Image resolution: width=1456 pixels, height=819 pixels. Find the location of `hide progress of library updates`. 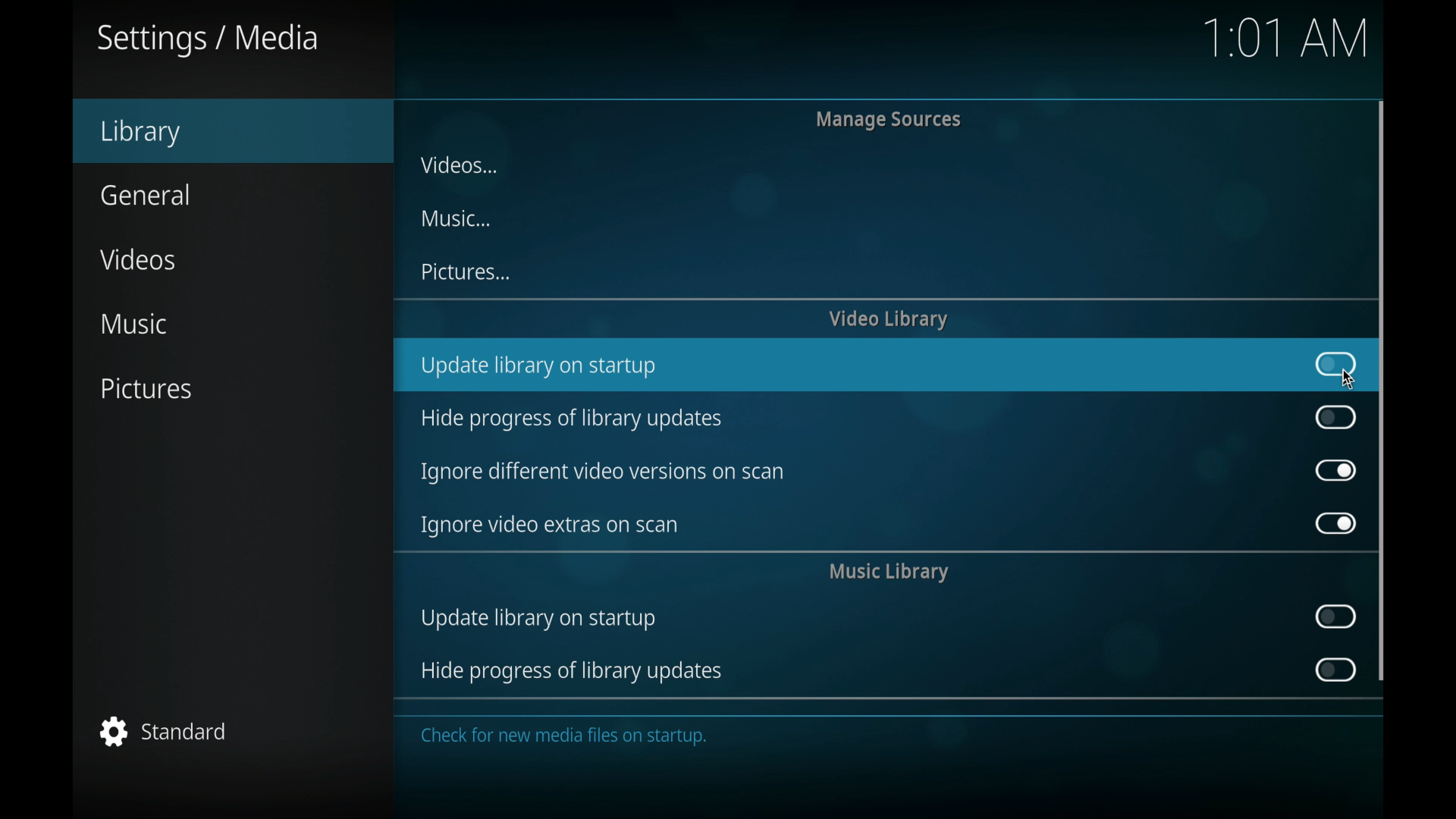

hide progress of library updates is located at coordinates (570, 419).